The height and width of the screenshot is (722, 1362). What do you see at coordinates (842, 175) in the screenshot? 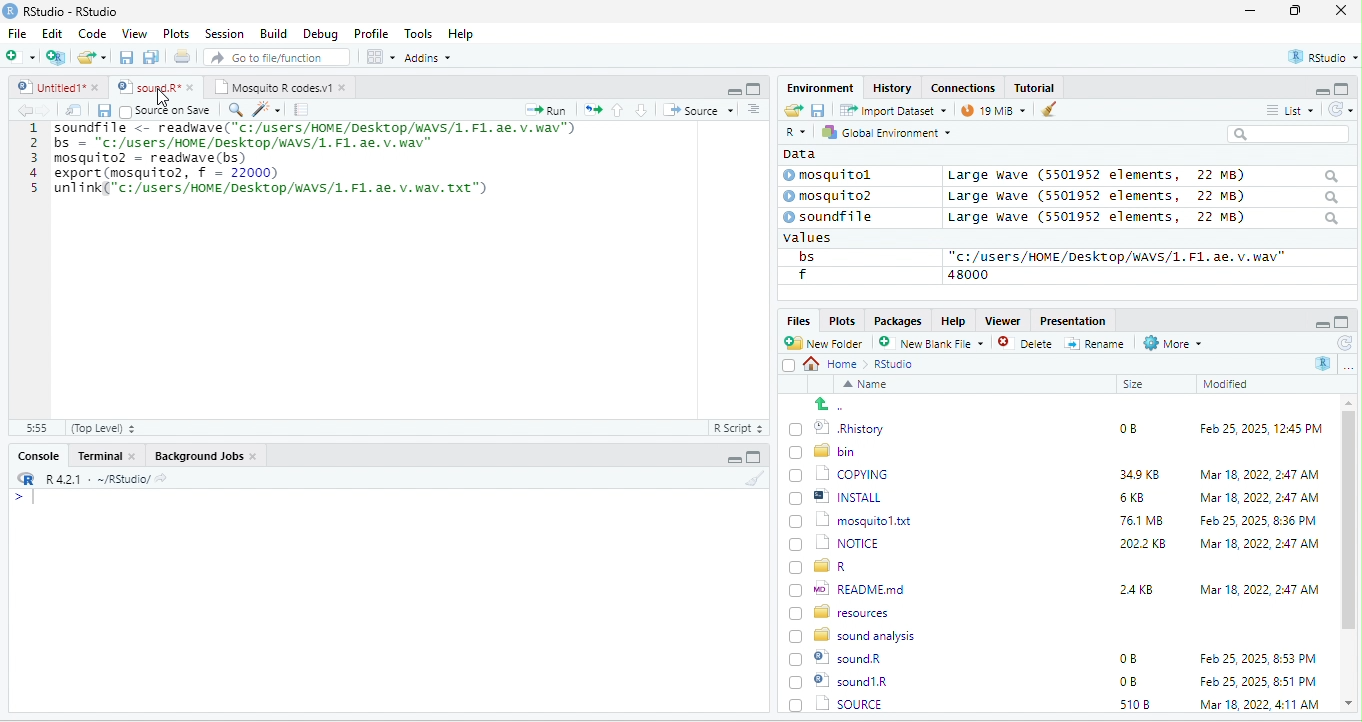
I see `© mosquitol` at bounding box center [842, 175].